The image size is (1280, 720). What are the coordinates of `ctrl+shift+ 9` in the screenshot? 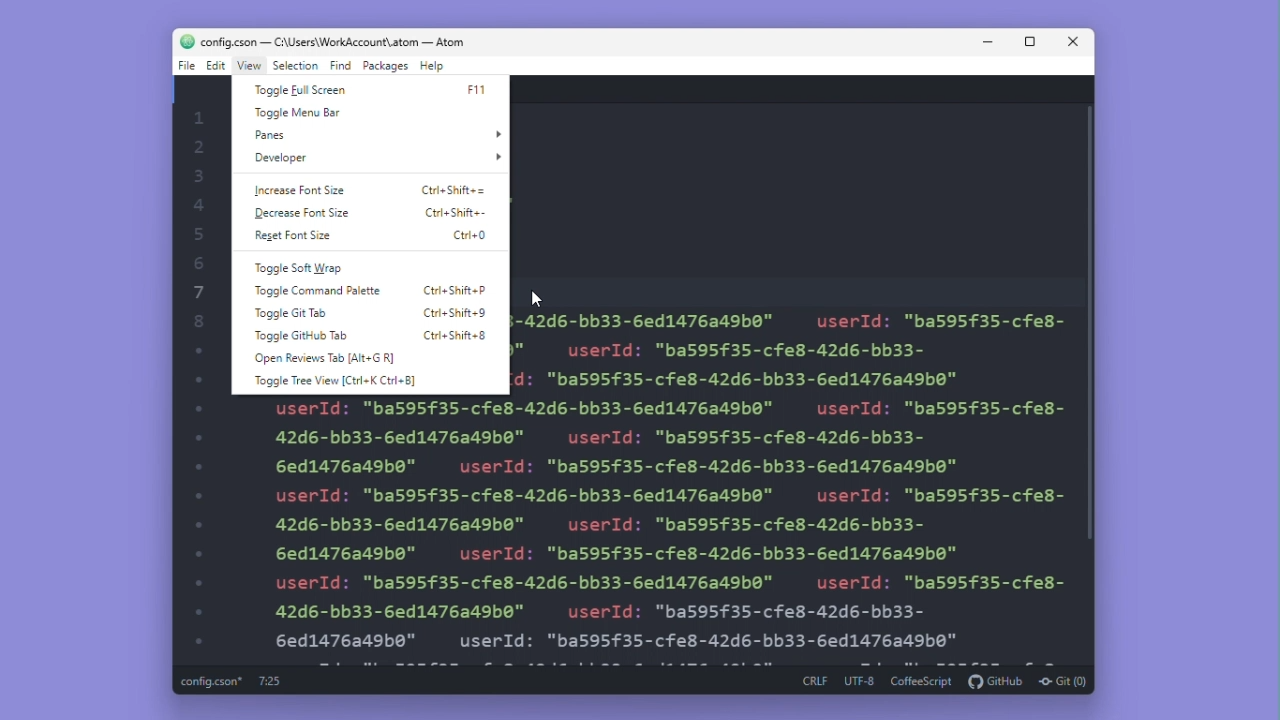 It's located at (454, 310).